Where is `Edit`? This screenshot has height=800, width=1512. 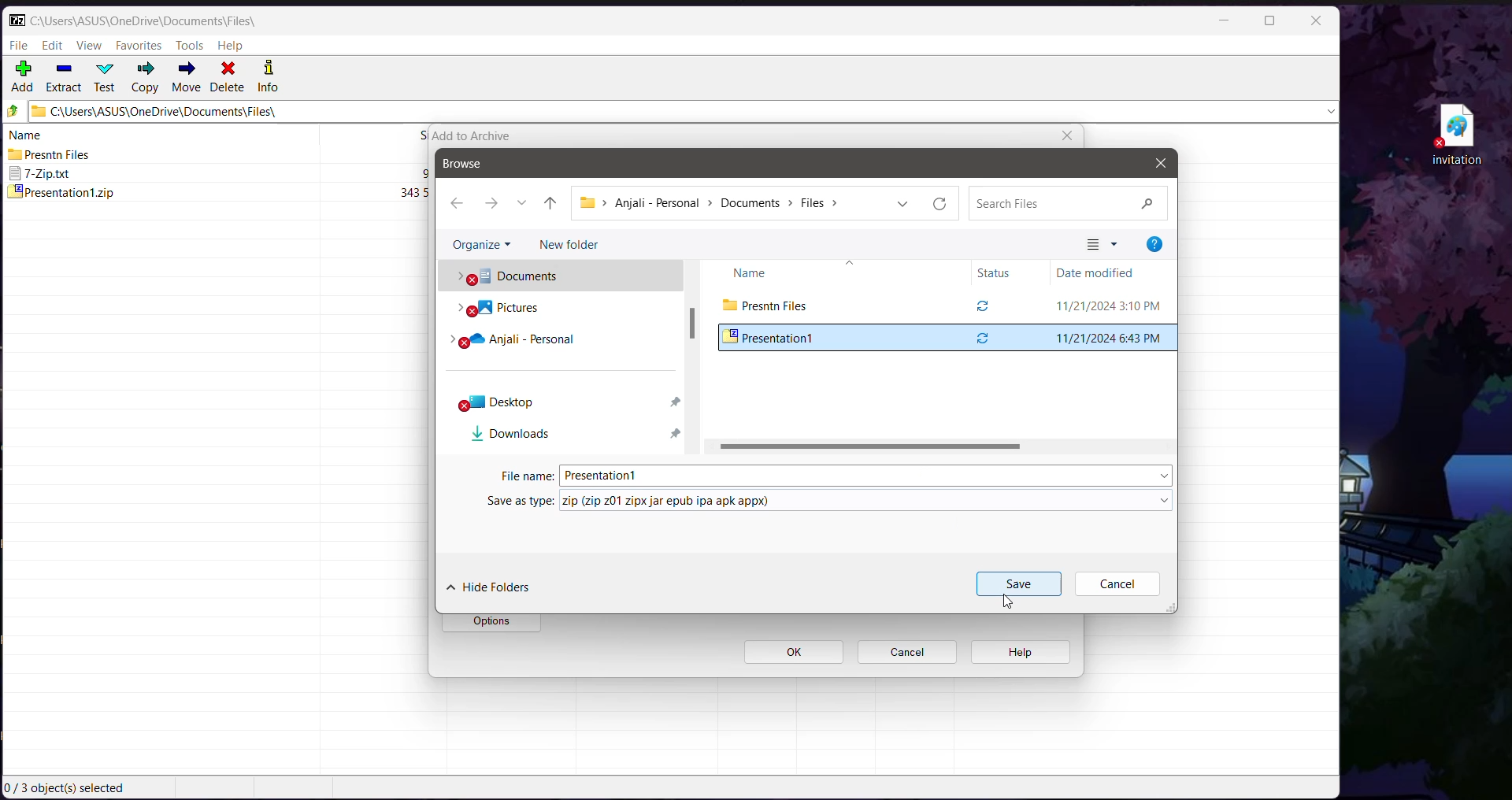
Edit is located at coordinates (54, 45).